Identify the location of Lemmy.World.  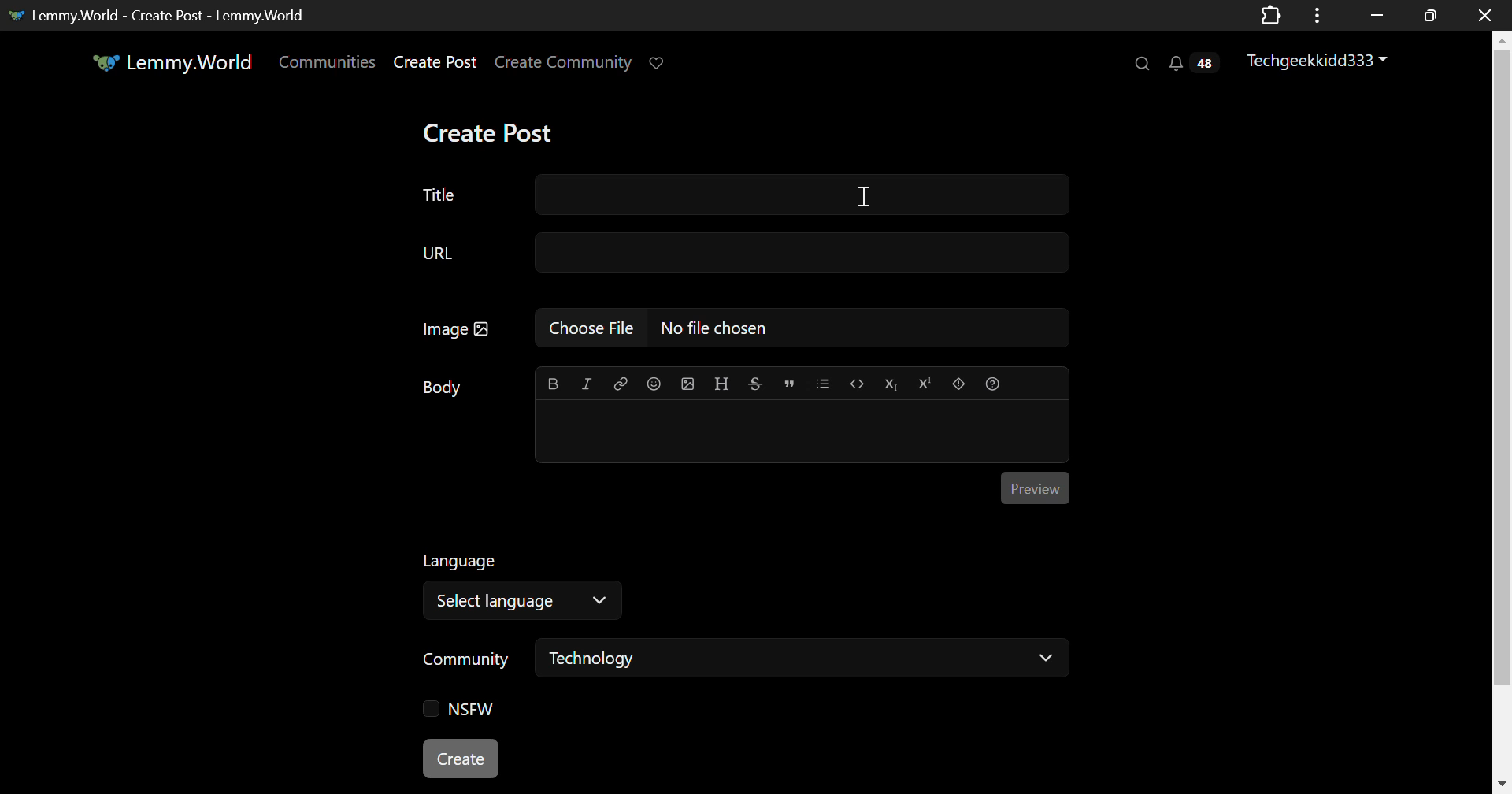
(169, 63).